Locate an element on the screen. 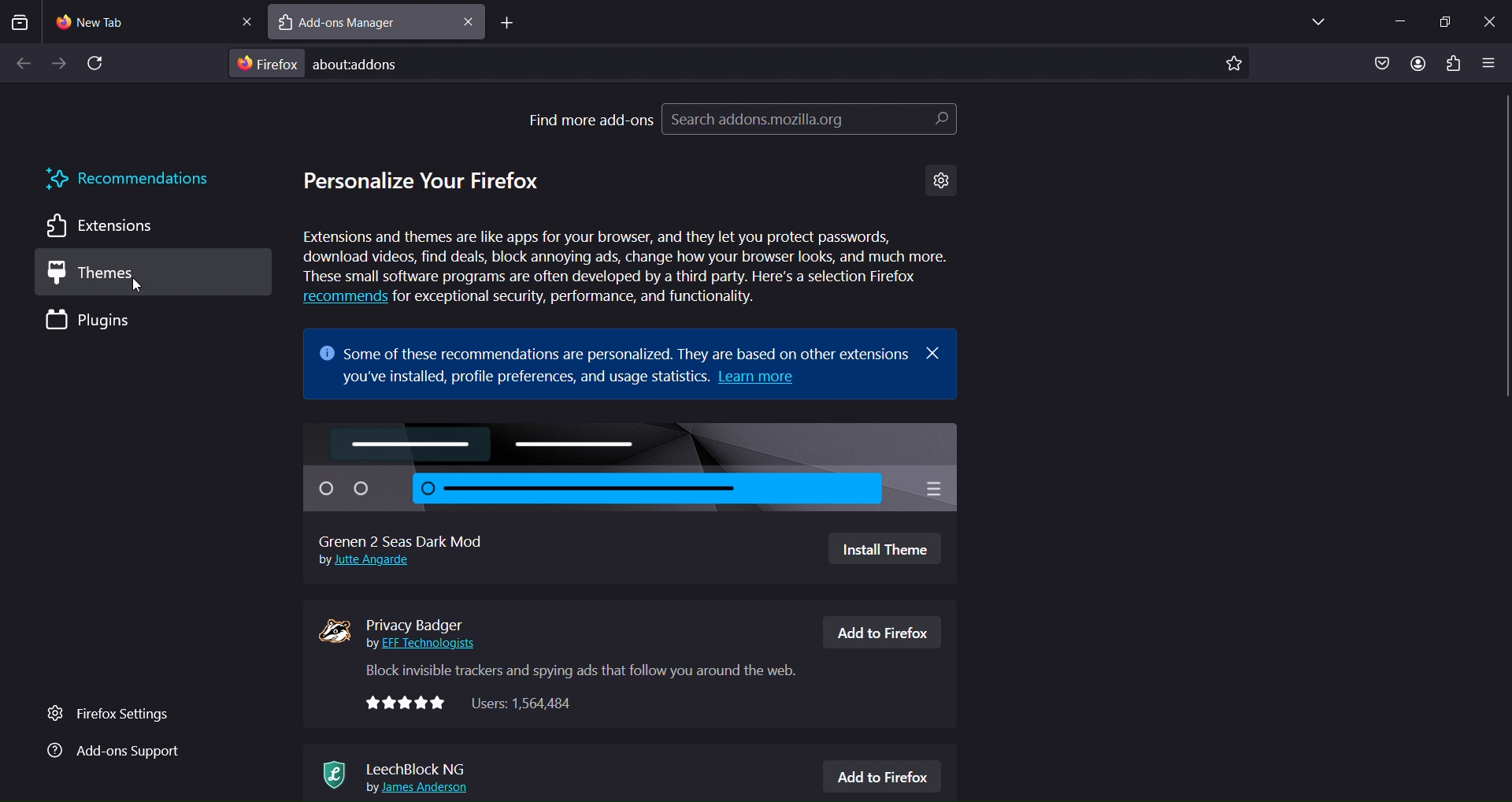  go forward one page is located at coordinates (61, 65).